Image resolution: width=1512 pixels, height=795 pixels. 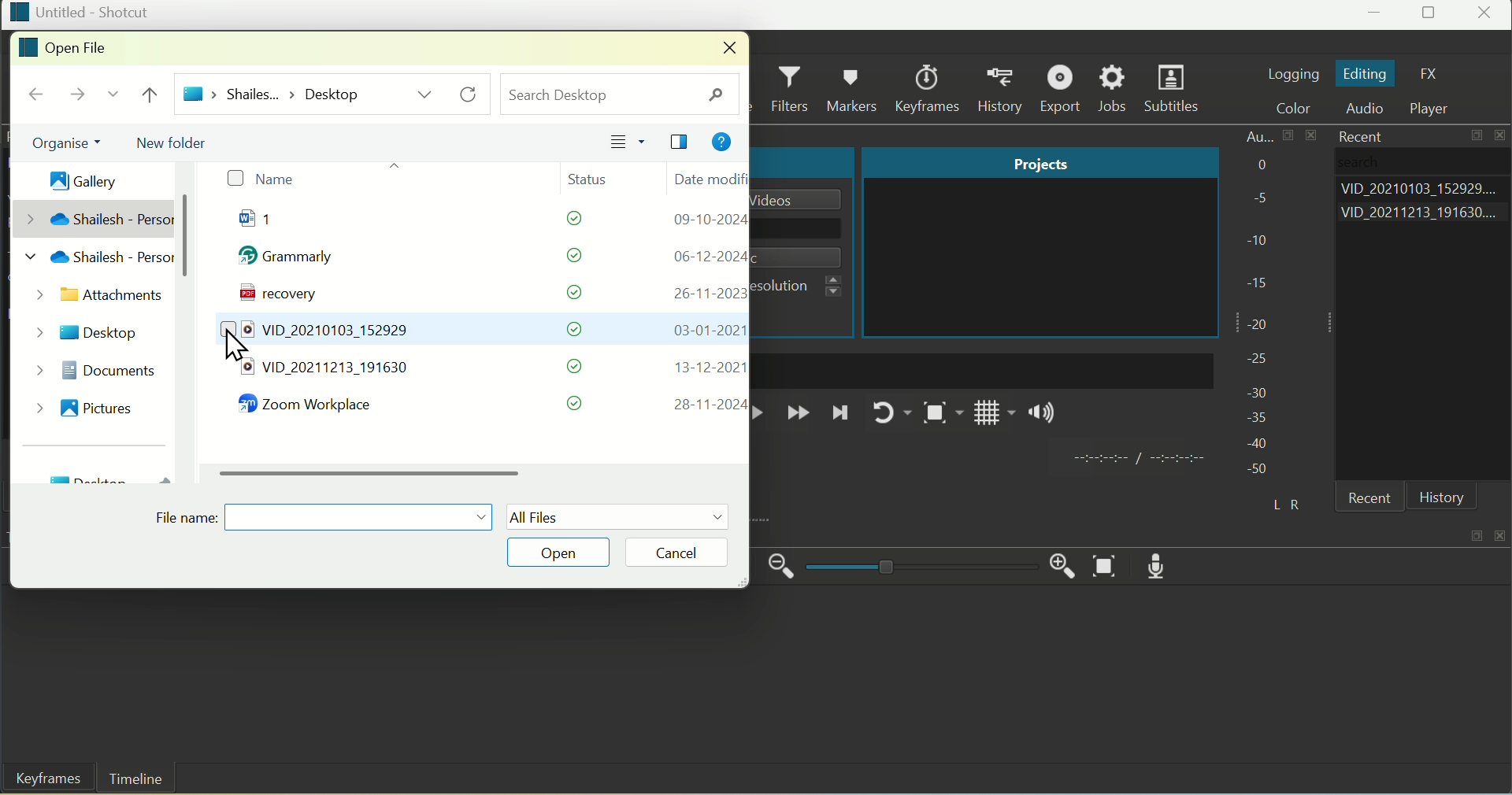 What do you see at coordinates (708, 179) in the screenshot?
I see `Date` at bounding box center [708, 179].